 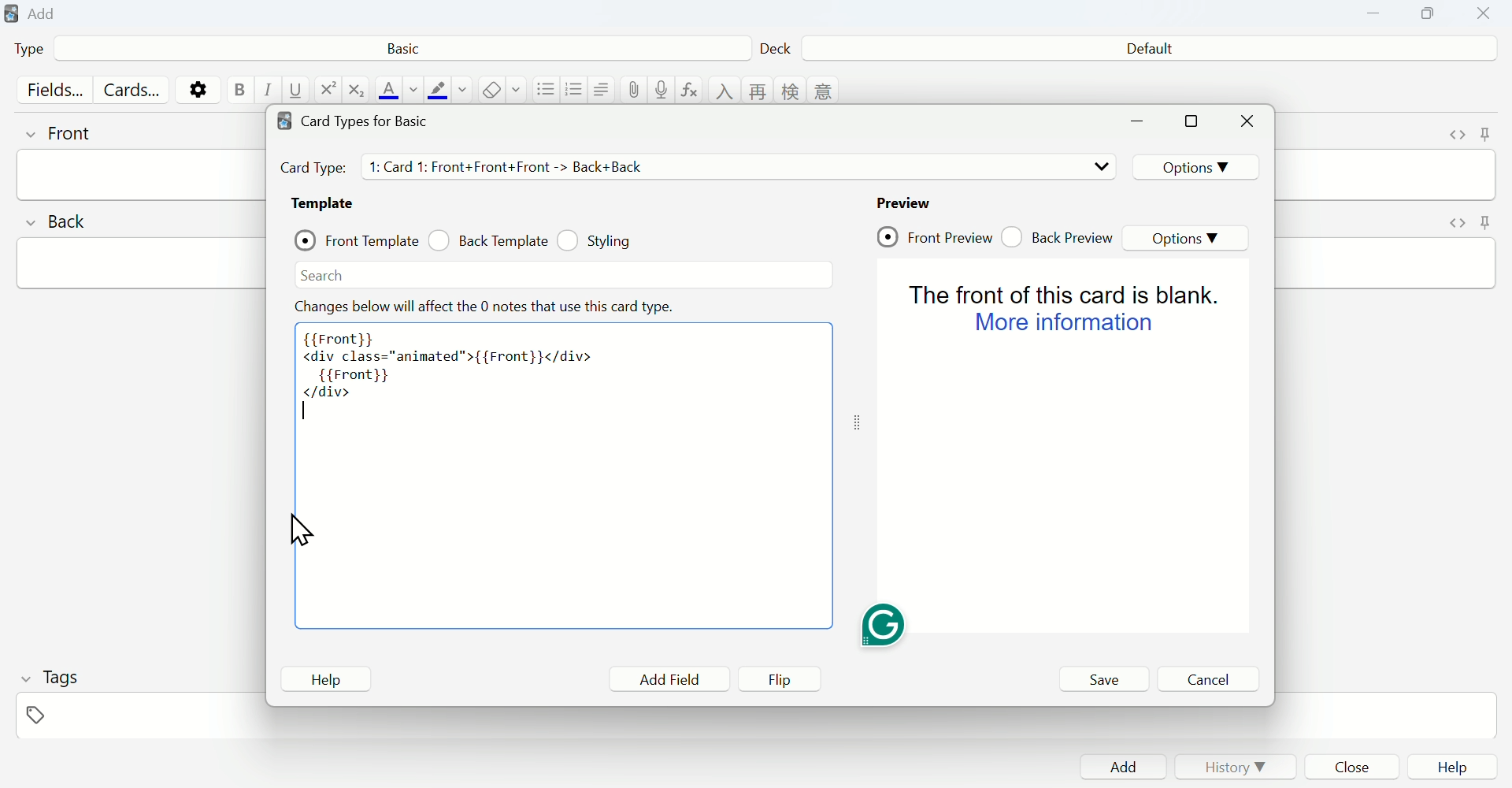 What do you see at coordinates (791, 90) in the screenshot?
I see `language` at bounding box center [791, 90].